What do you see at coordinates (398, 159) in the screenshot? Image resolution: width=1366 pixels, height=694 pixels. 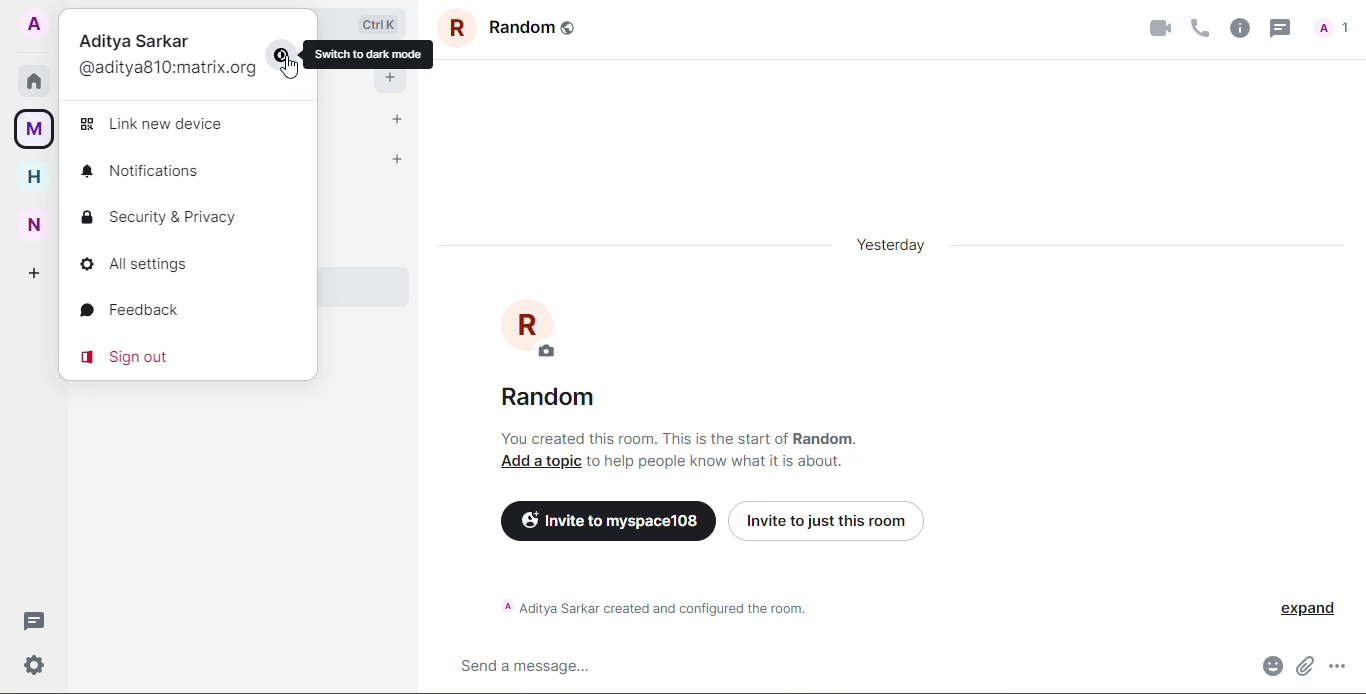 I see `add` at bounding box center [398, 159].